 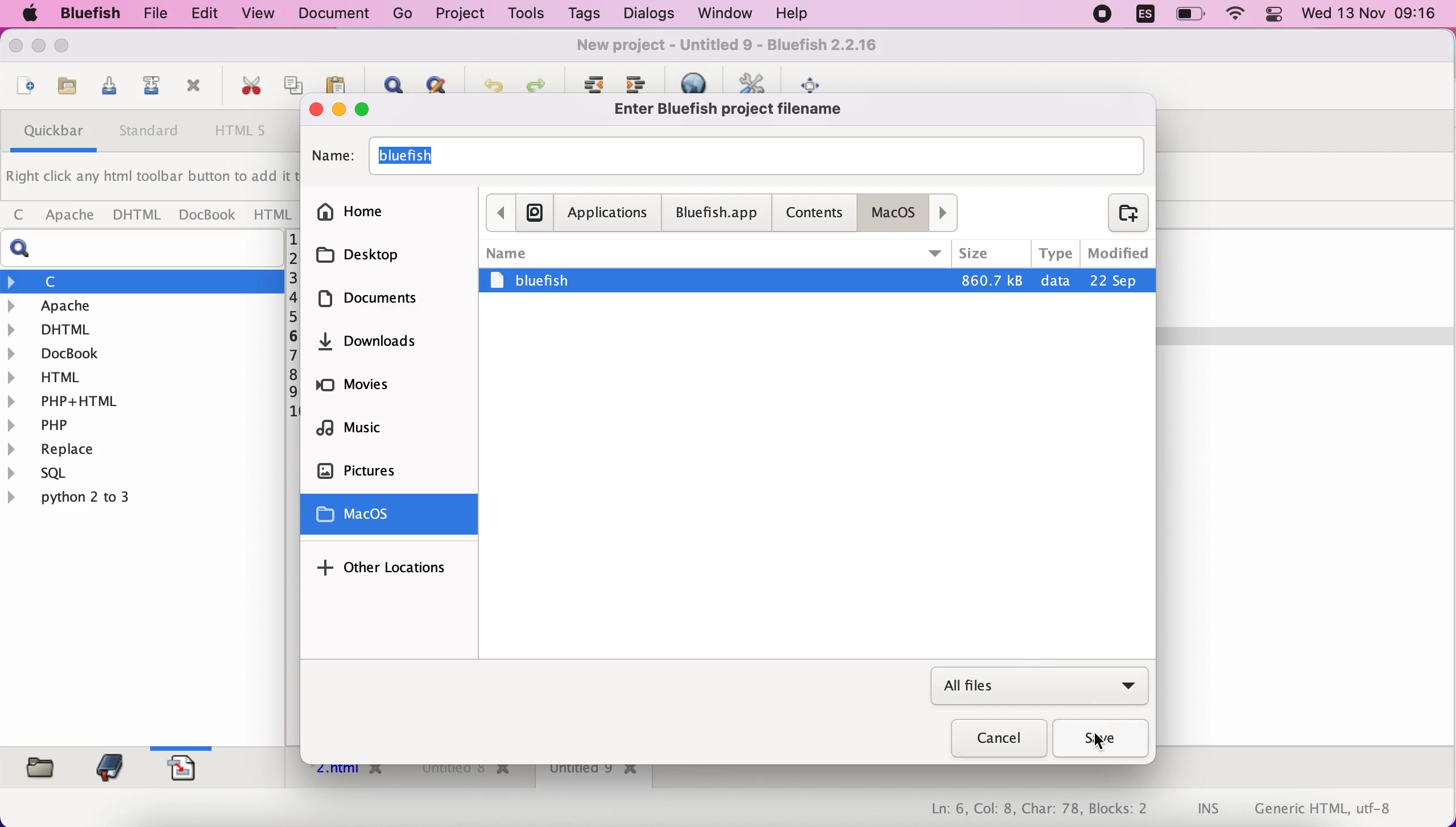 What do you see at coordinates (385, 303) in the screenshot?
I see `documents` at bounding box center [385, 303].